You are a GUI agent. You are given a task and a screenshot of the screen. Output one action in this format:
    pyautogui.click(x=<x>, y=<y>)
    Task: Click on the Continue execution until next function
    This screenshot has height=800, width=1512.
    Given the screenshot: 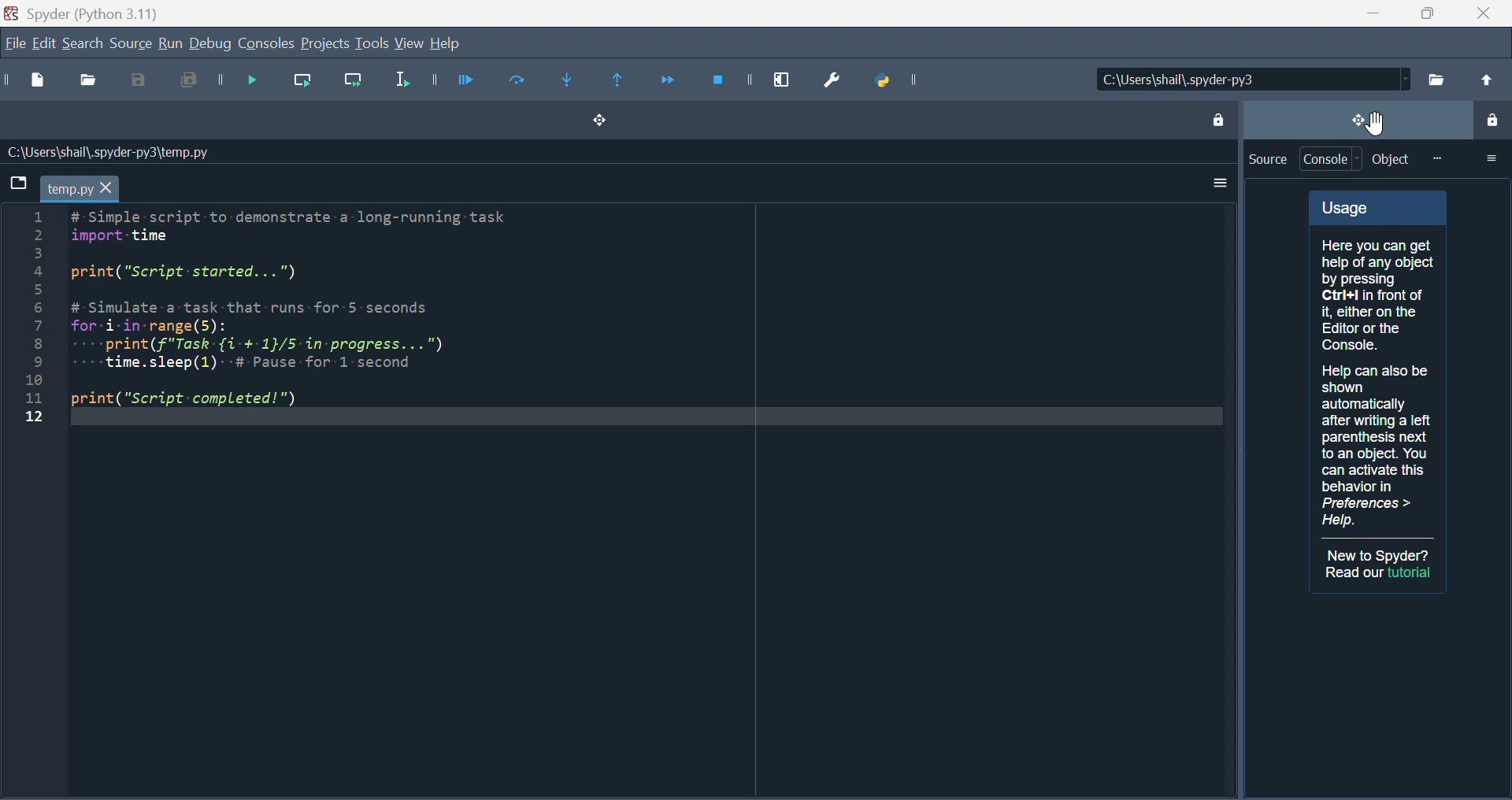 What is the action you would take?
    pyautogui.click(x=667, y=80)
    